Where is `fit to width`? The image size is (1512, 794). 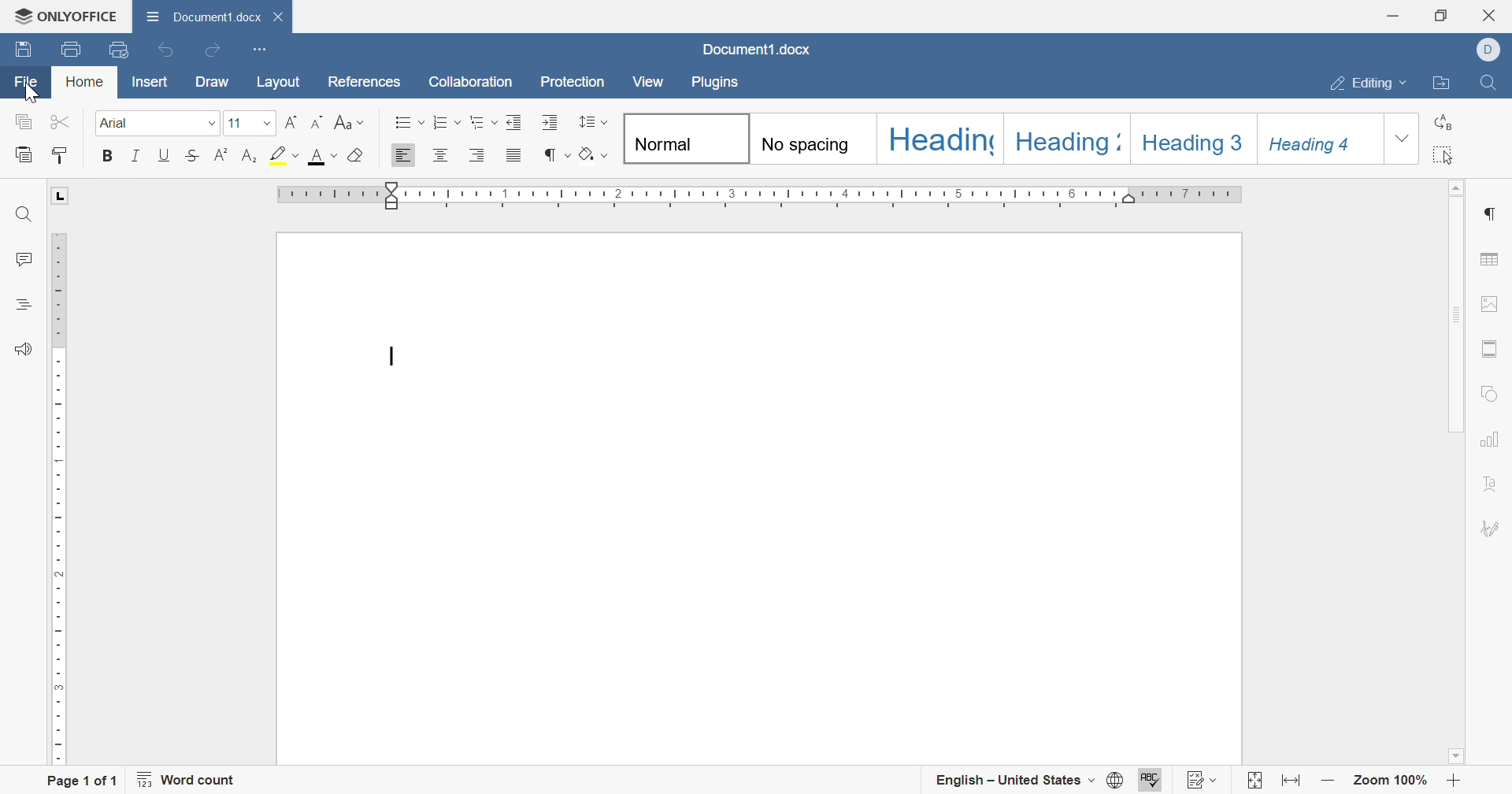
fit to width is located at coordinates (1294, 783).